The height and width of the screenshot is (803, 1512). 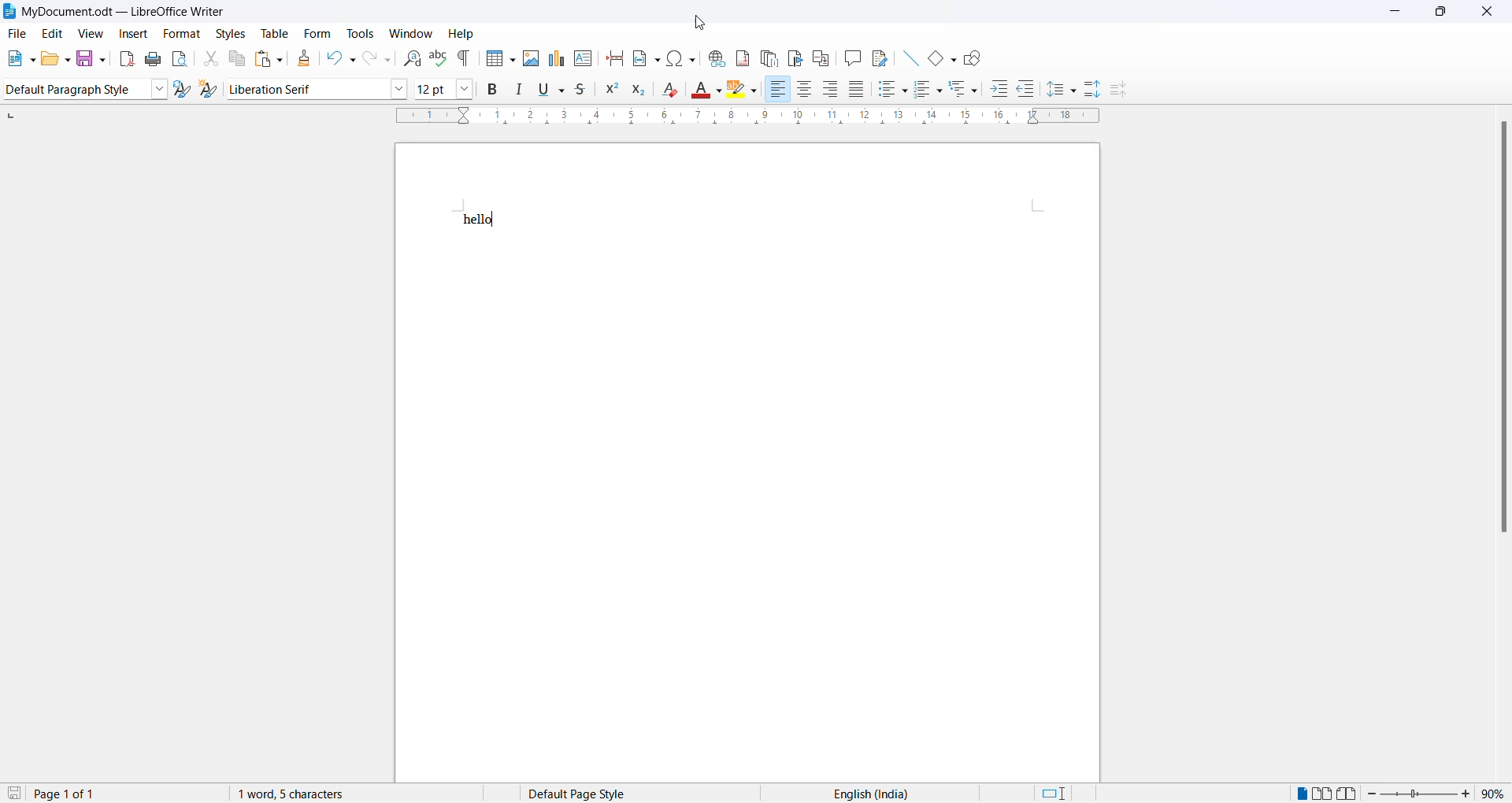 I want to click on hello, so click(x=479, y=220).